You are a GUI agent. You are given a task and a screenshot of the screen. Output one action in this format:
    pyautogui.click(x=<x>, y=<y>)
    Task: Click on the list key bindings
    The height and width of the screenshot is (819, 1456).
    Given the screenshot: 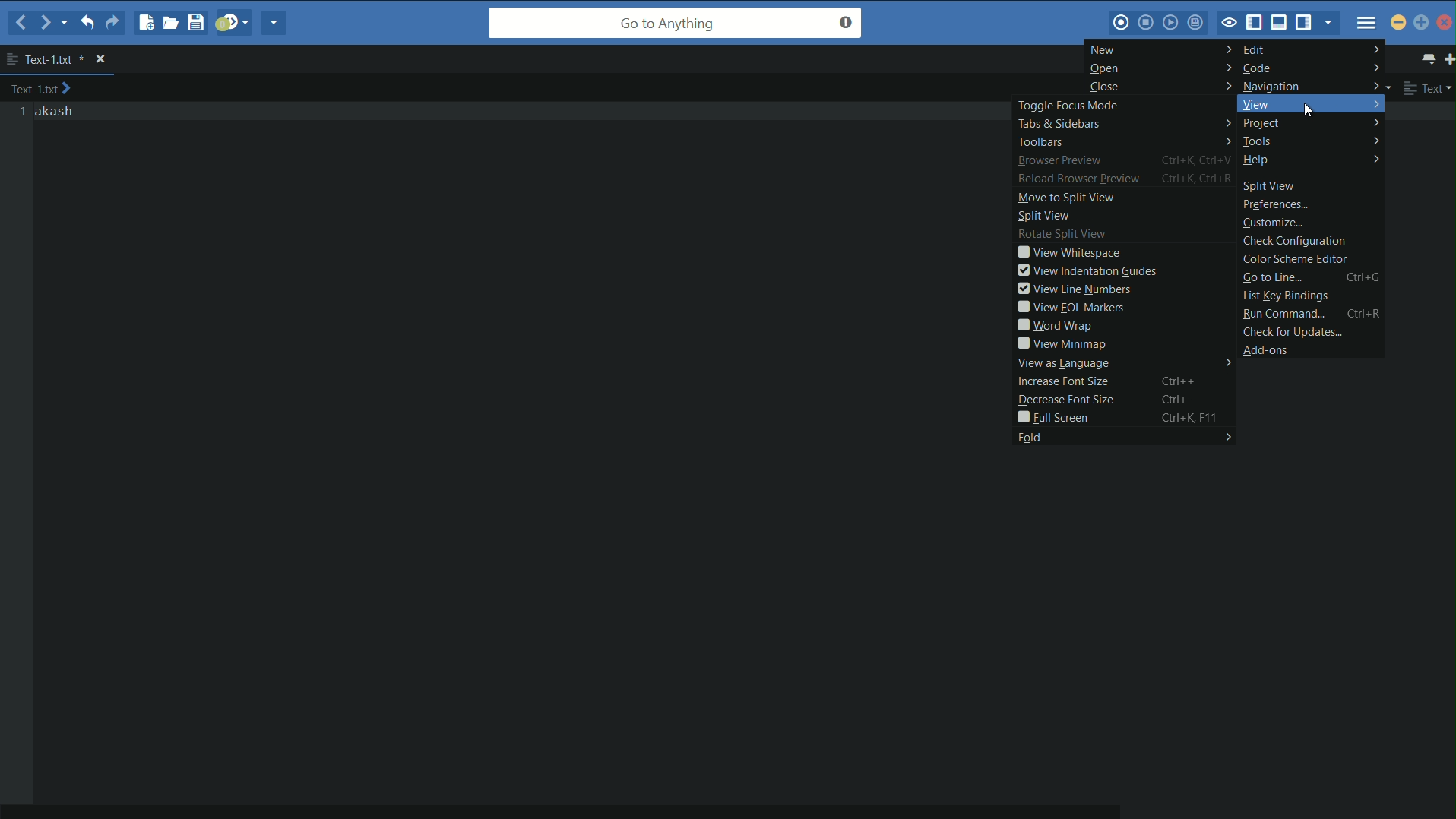 What is the action you would take?
    pyautogui.click(x=1311, y=296)
    